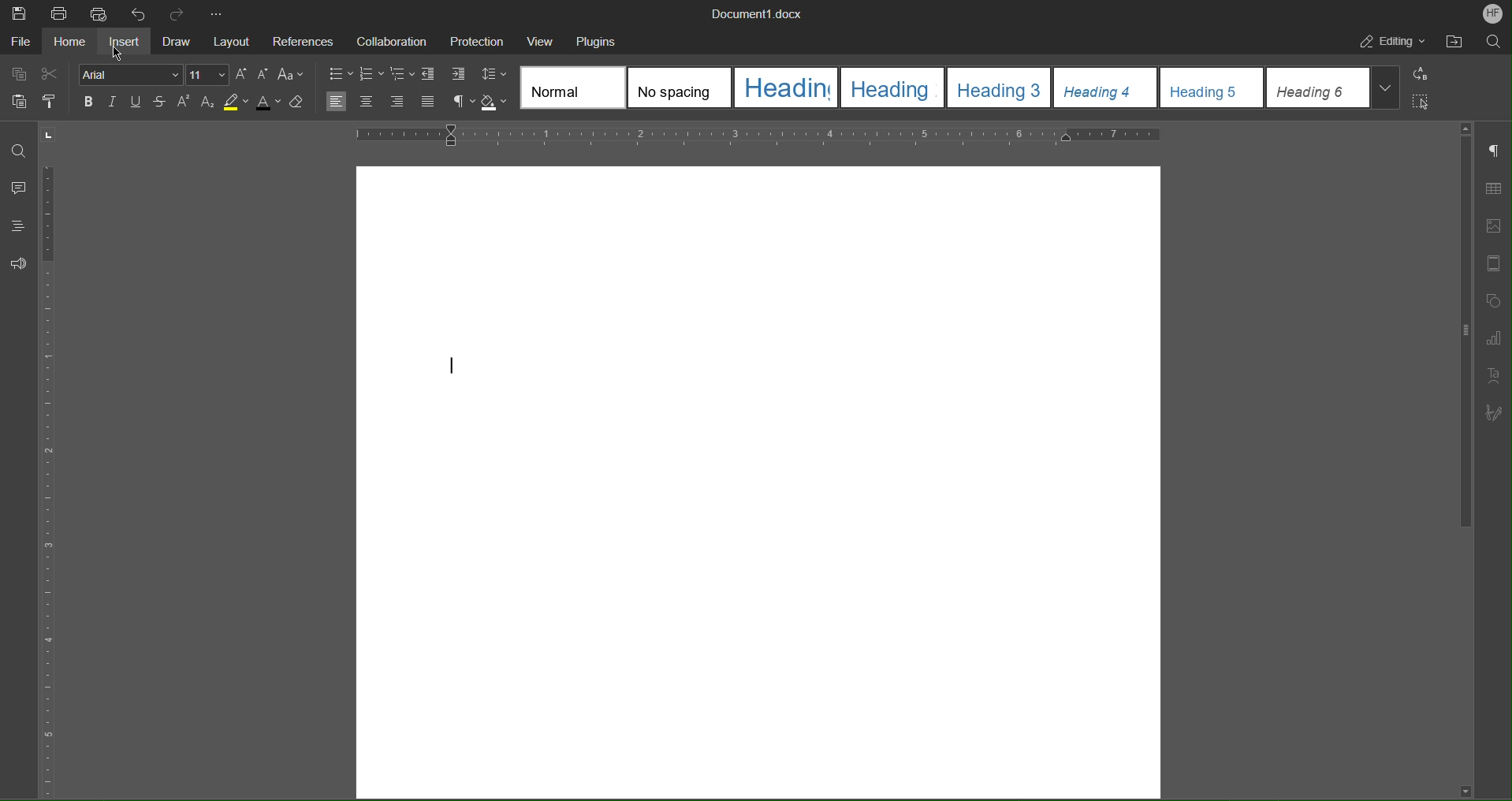 The height and width of the screenshot is (801, 1512). Describe the element at coordinates (573, 88) in the screenshot. I see `Normal` at that location.